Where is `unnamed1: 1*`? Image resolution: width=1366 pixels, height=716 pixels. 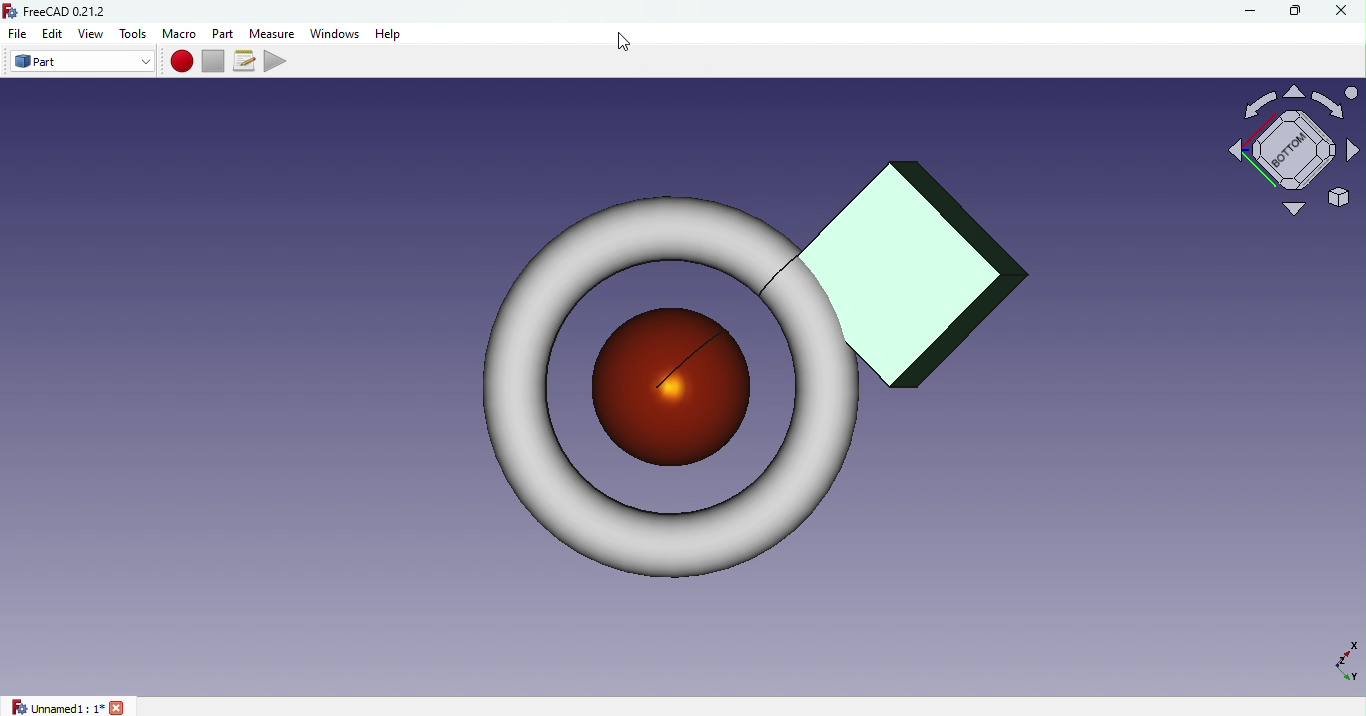 unnamed1: 1* is located at coordinates (67, 706).